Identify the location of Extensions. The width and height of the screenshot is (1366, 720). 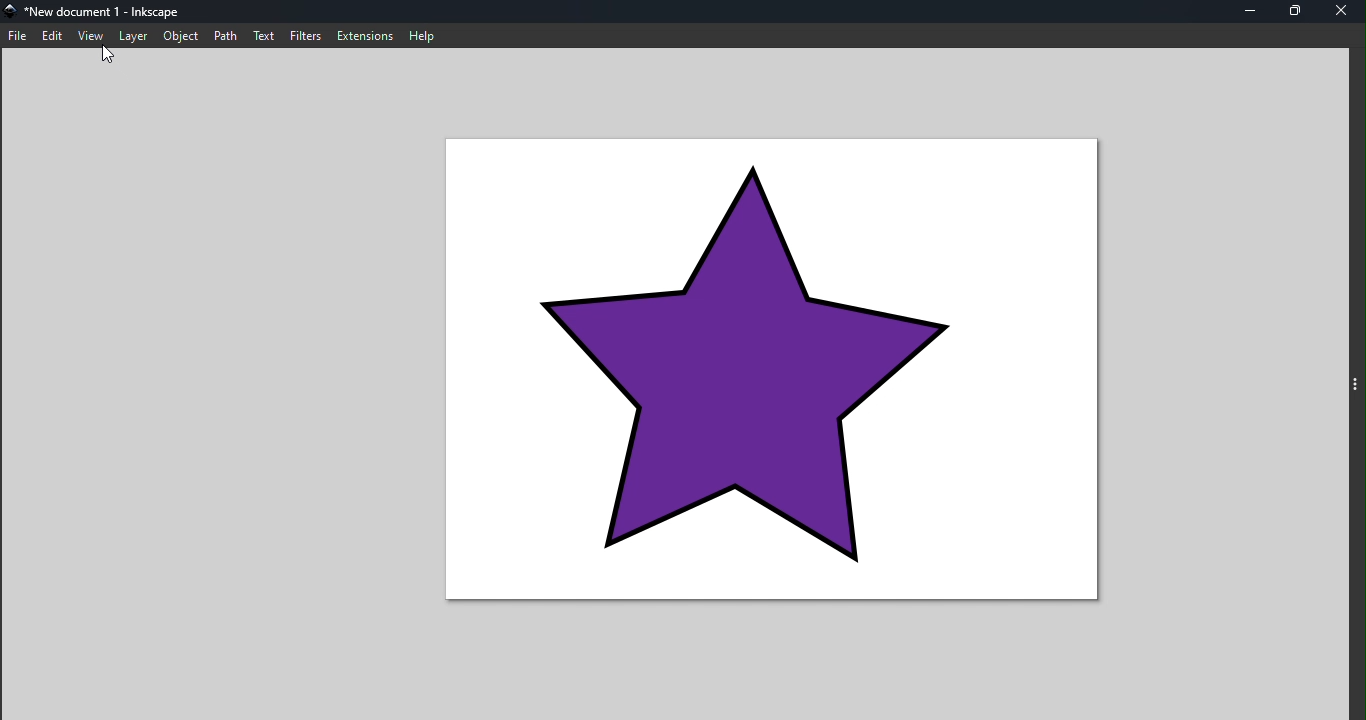
(363, 36).